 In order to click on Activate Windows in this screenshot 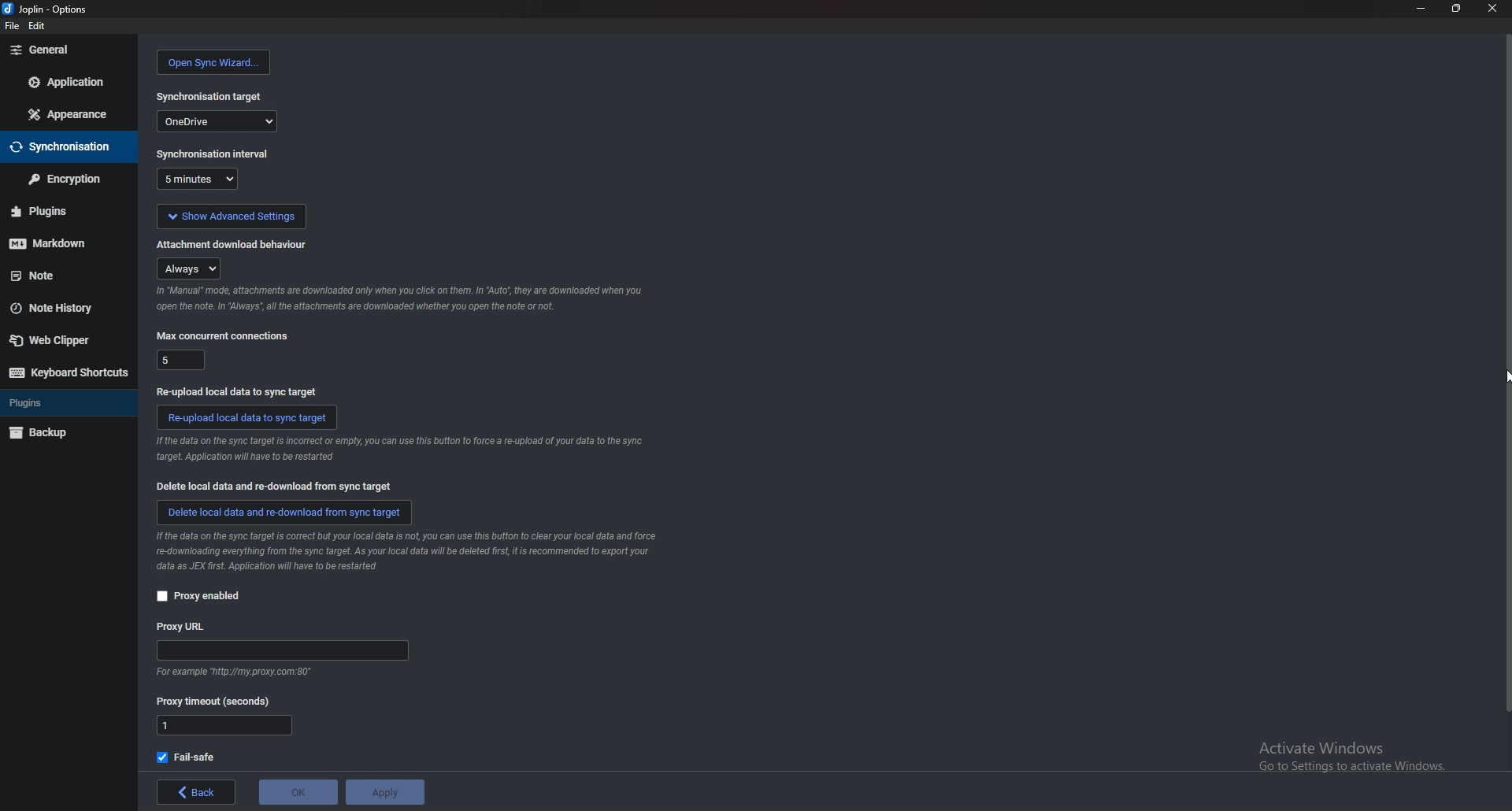, I will do `click(1353, 757)`.